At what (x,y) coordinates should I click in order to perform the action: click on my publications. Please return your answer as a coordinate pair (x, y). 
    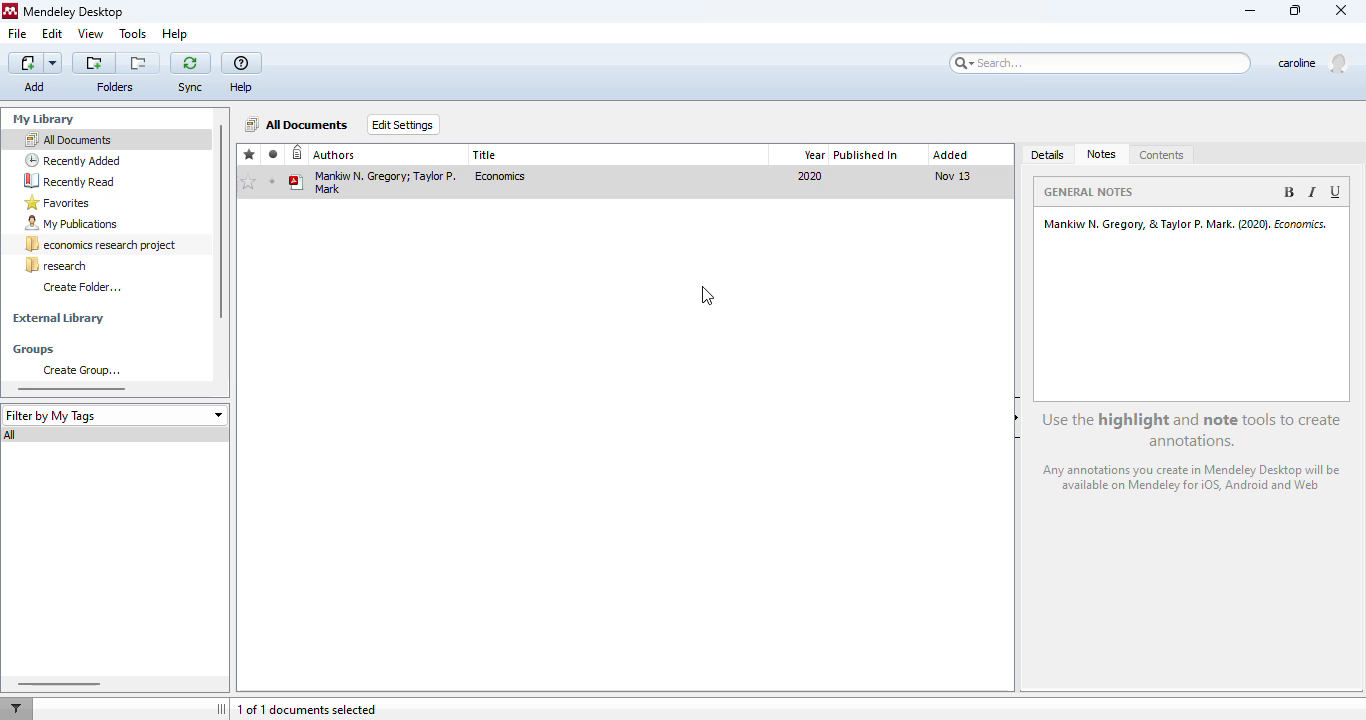
    Looking at the image, I should click on (72, 224).